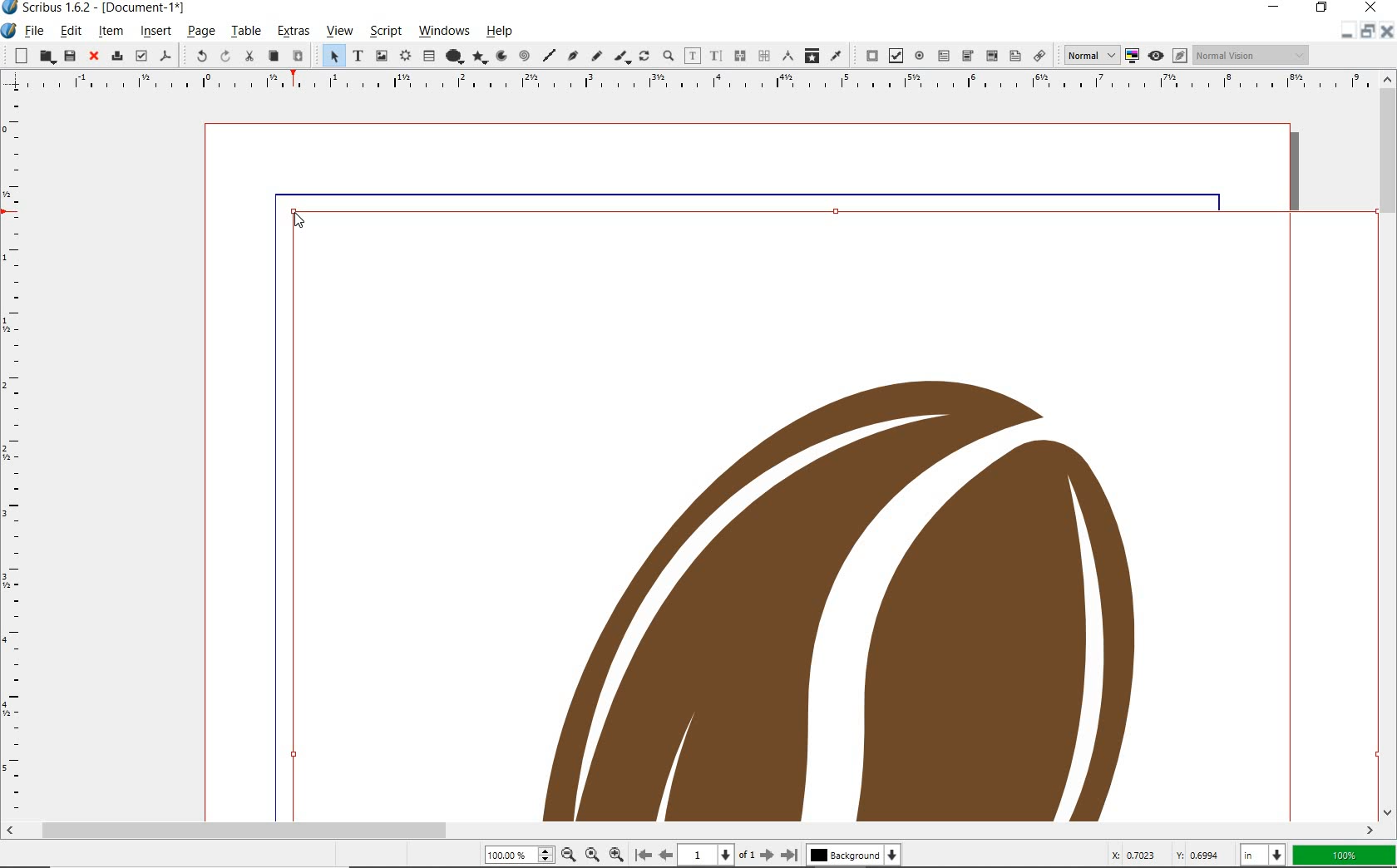 The image size is (1397, 868). I want to click on edit contents of frame, so click(694, 57).